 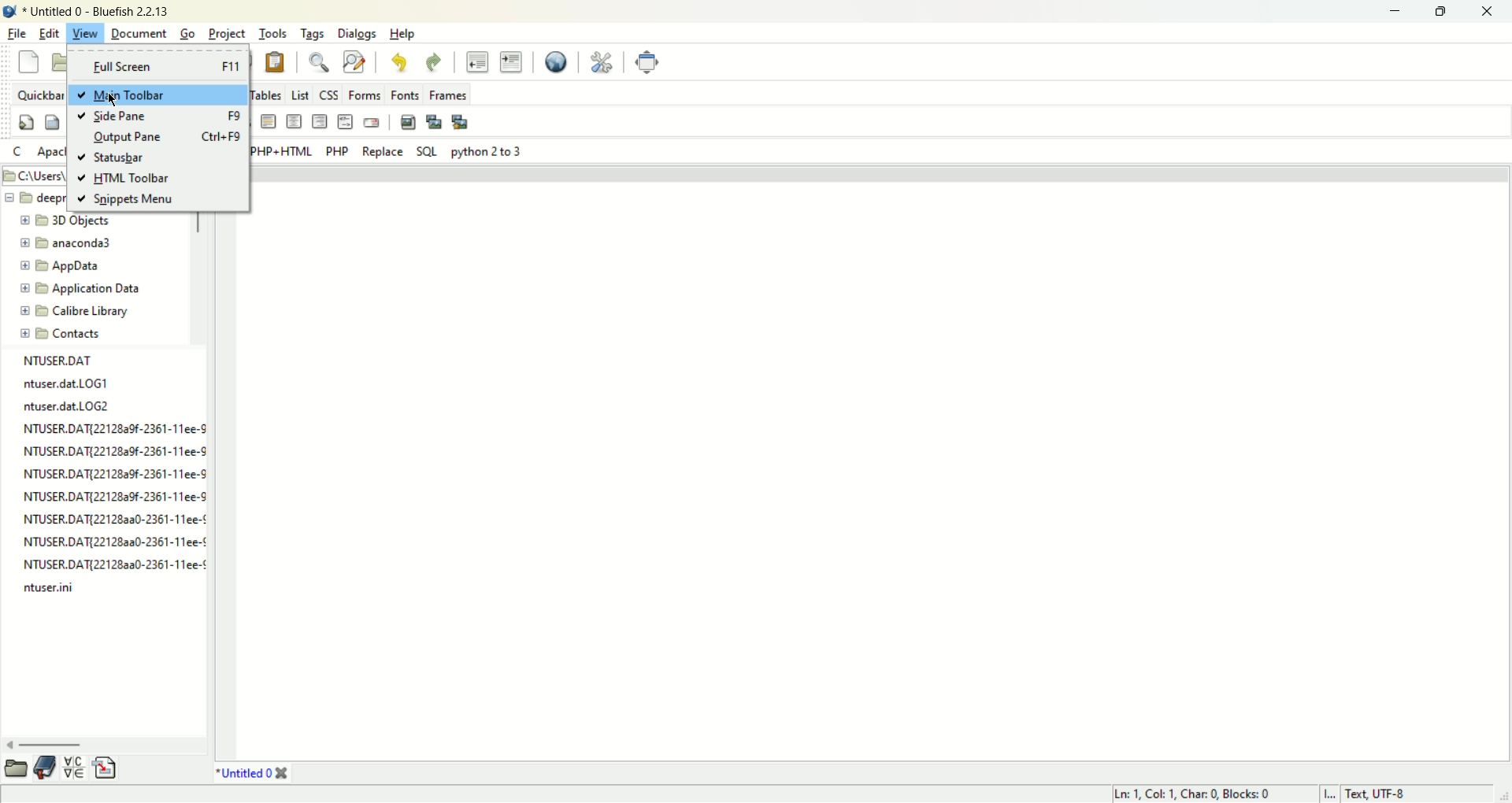 What do you see at coordinates (67, 220) in the screenshot?
I see `3D objects` at bounding box center [67, 220].